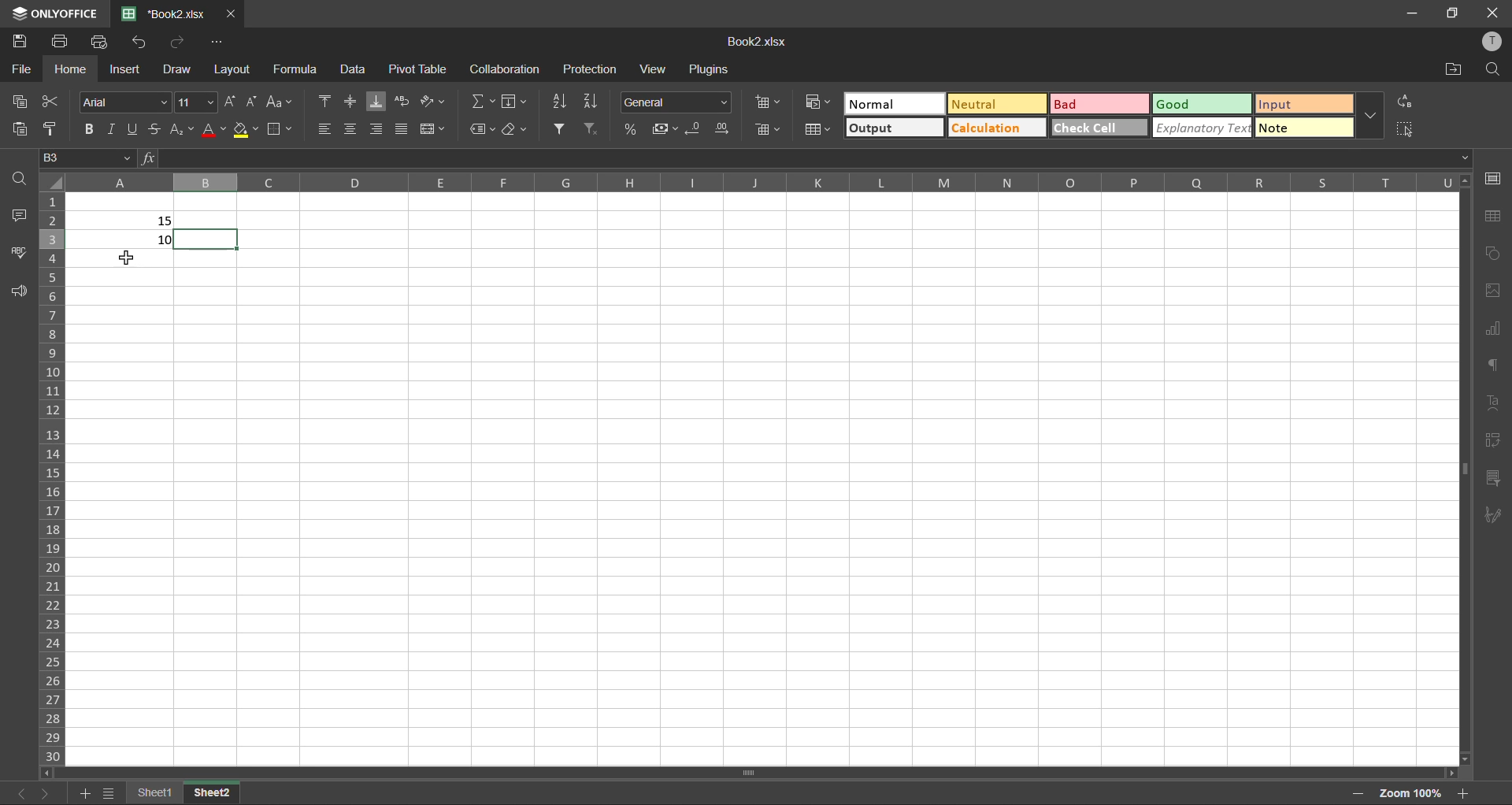 The image size is (1512, 805). I want to click on format as table, so click(818, 130).